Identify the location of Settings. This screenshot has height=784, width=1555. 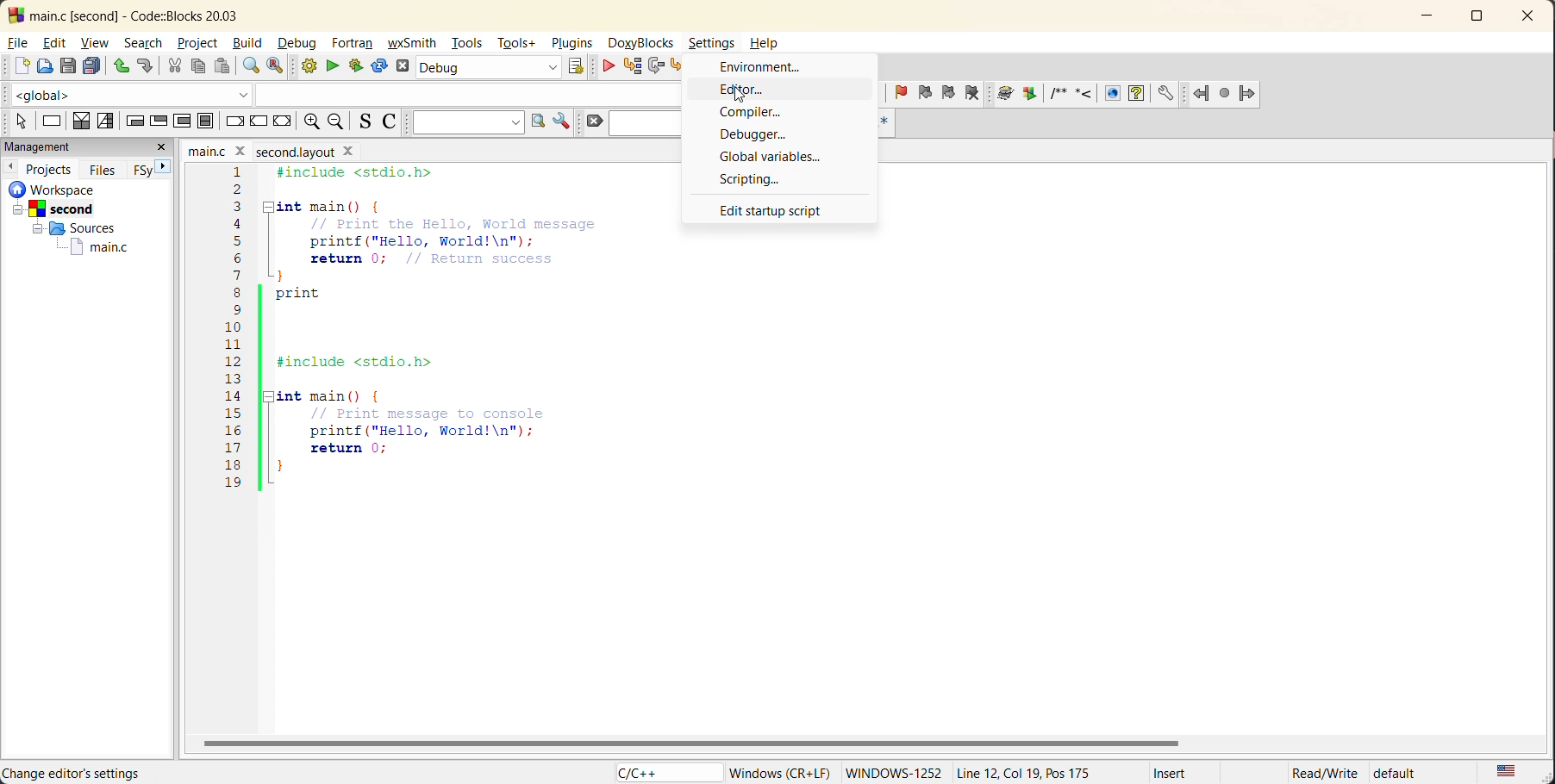
(711, 40).